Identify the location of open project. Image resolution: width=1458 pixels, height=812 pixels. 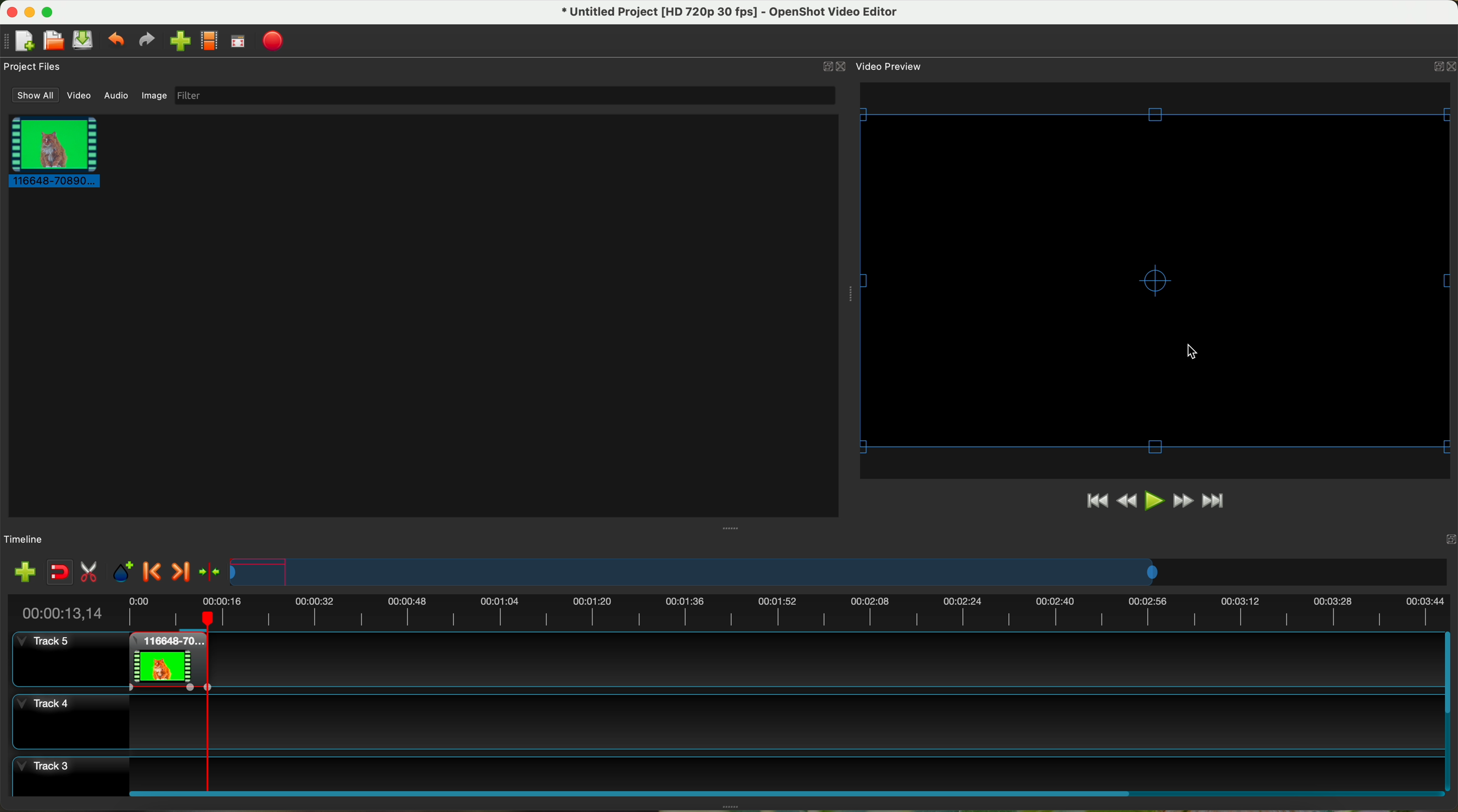
(55, 40).